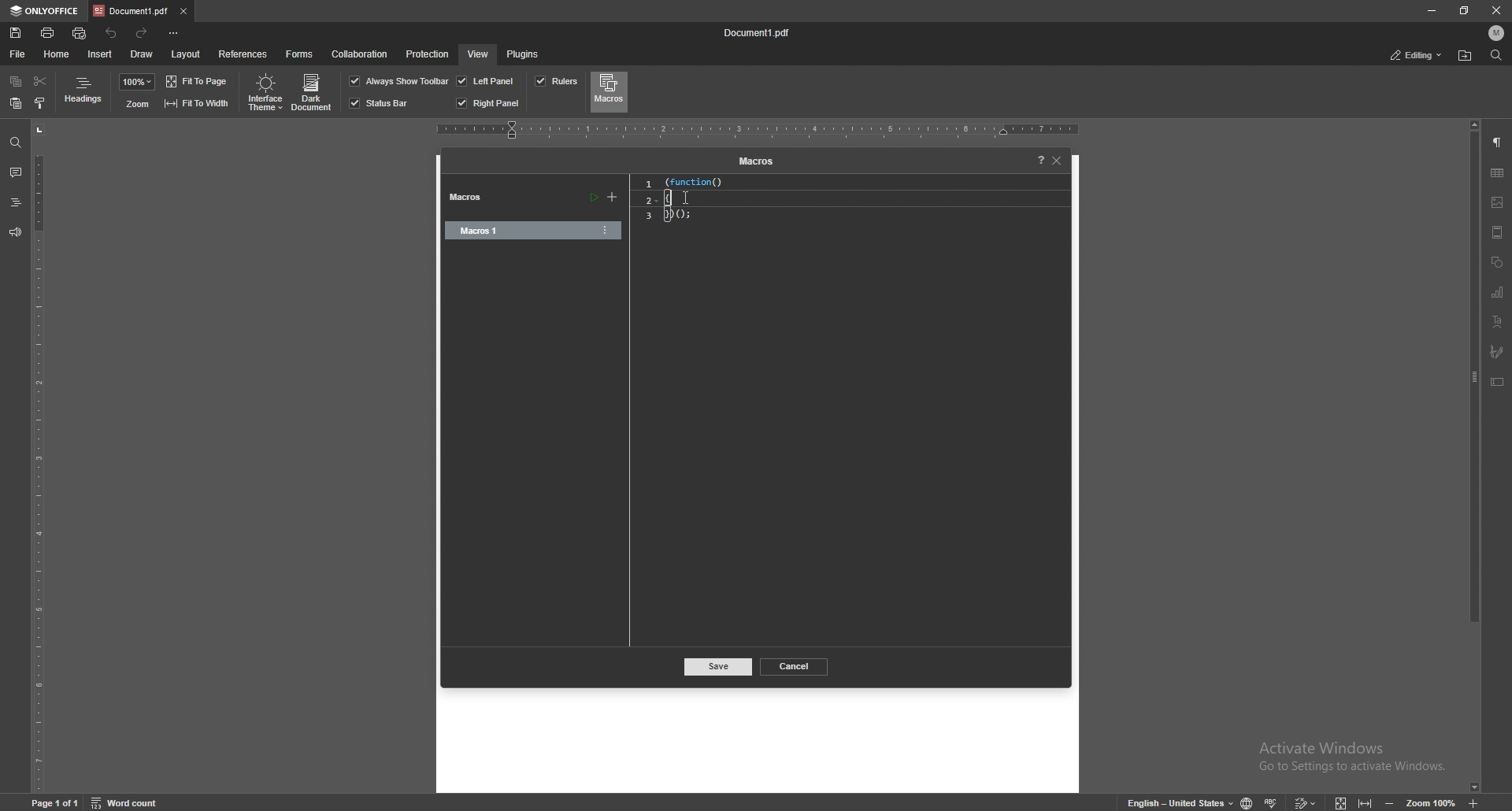 The height and width of the screenshot is (811, 1512). What do you see at coordinates (1466, 55) in the screenshot?
I see `locate file` at bounding box center [1466, 55].